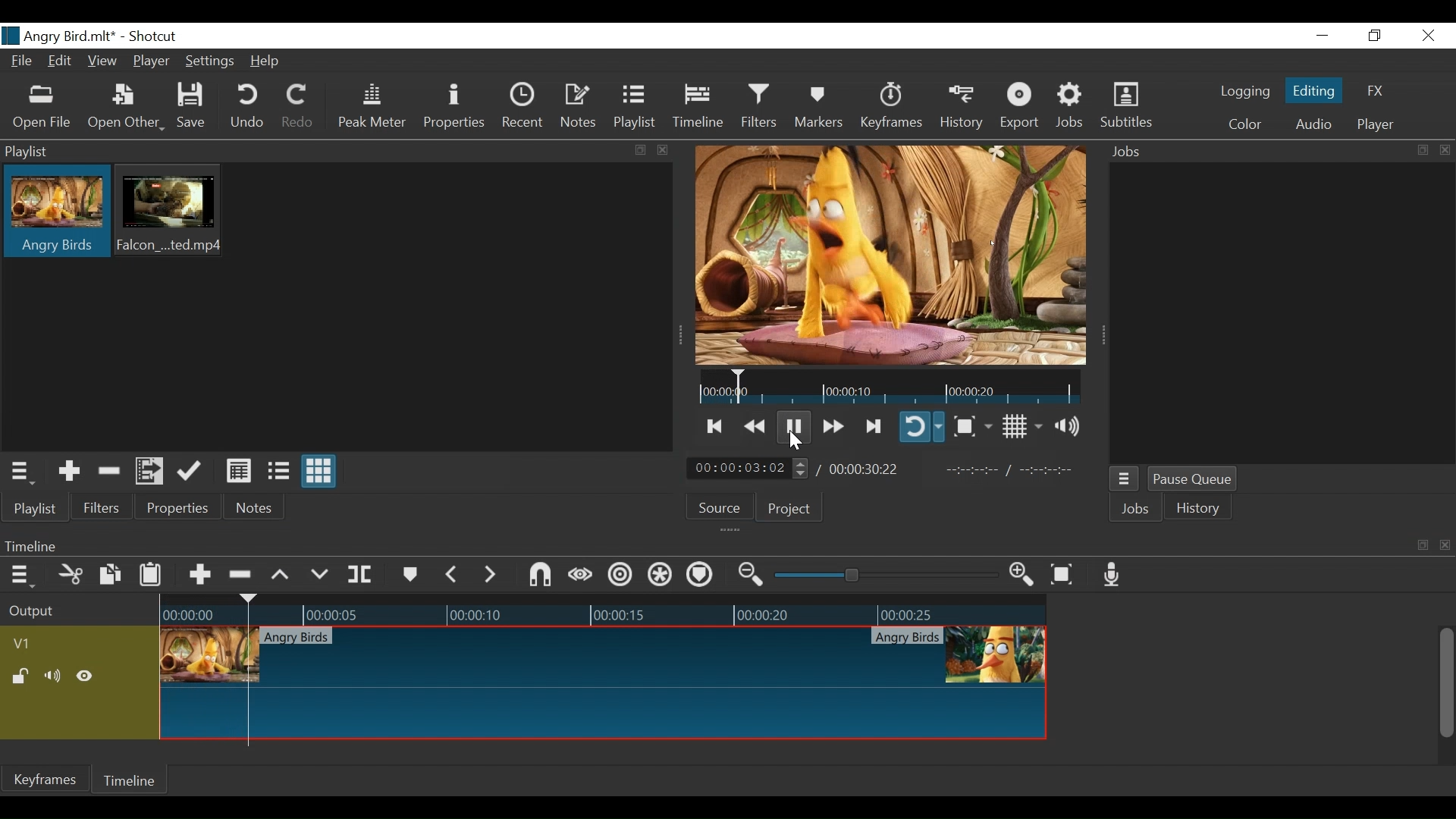 The image size is (1456, 819). What do you see at coordinates (964, 108) in the screenshot?
I see `History` at bounding box center [964, 108].